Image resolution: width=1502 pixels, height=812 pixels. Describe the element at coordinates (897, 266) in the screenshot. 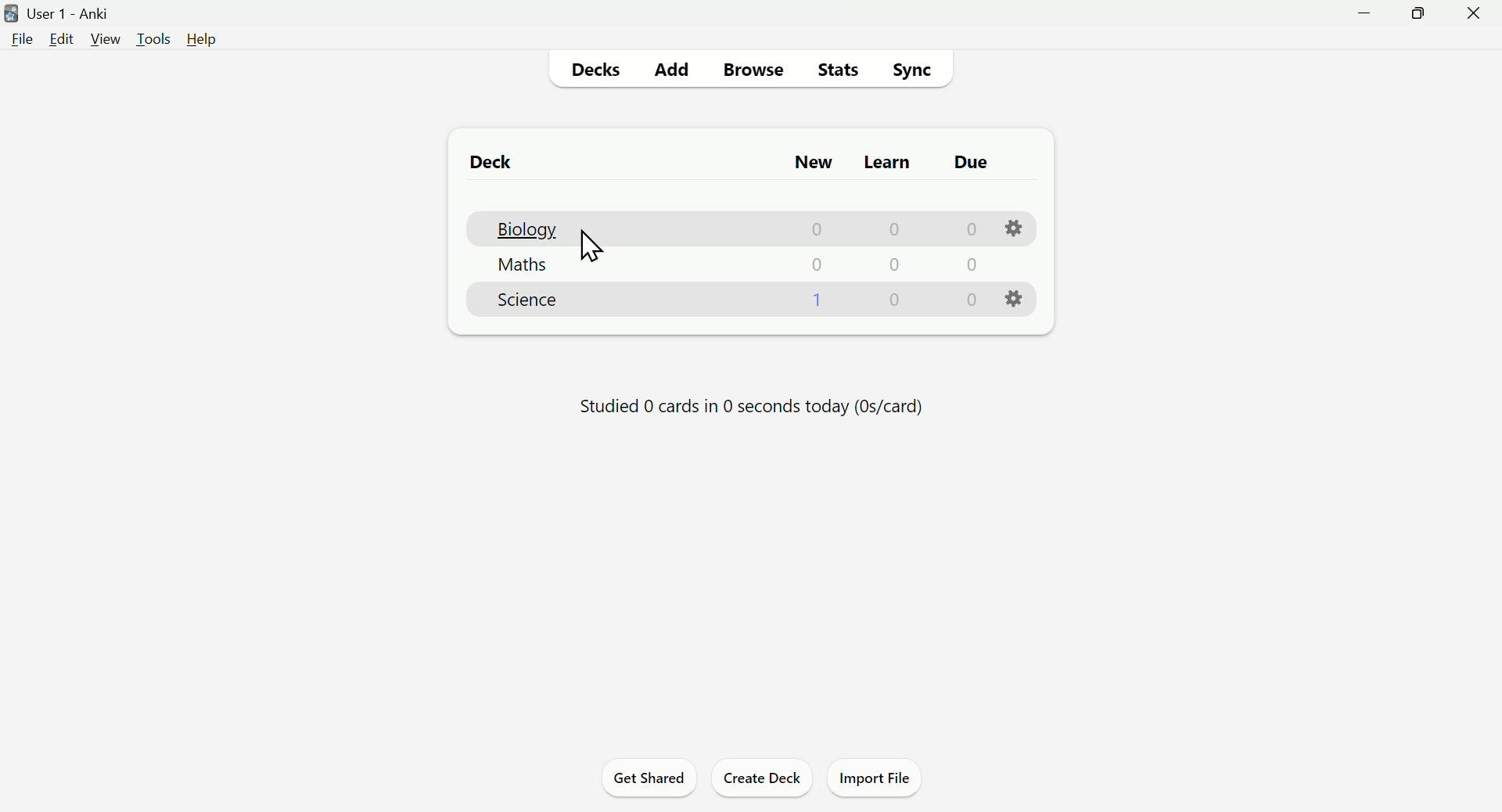

I see `0` at that location.